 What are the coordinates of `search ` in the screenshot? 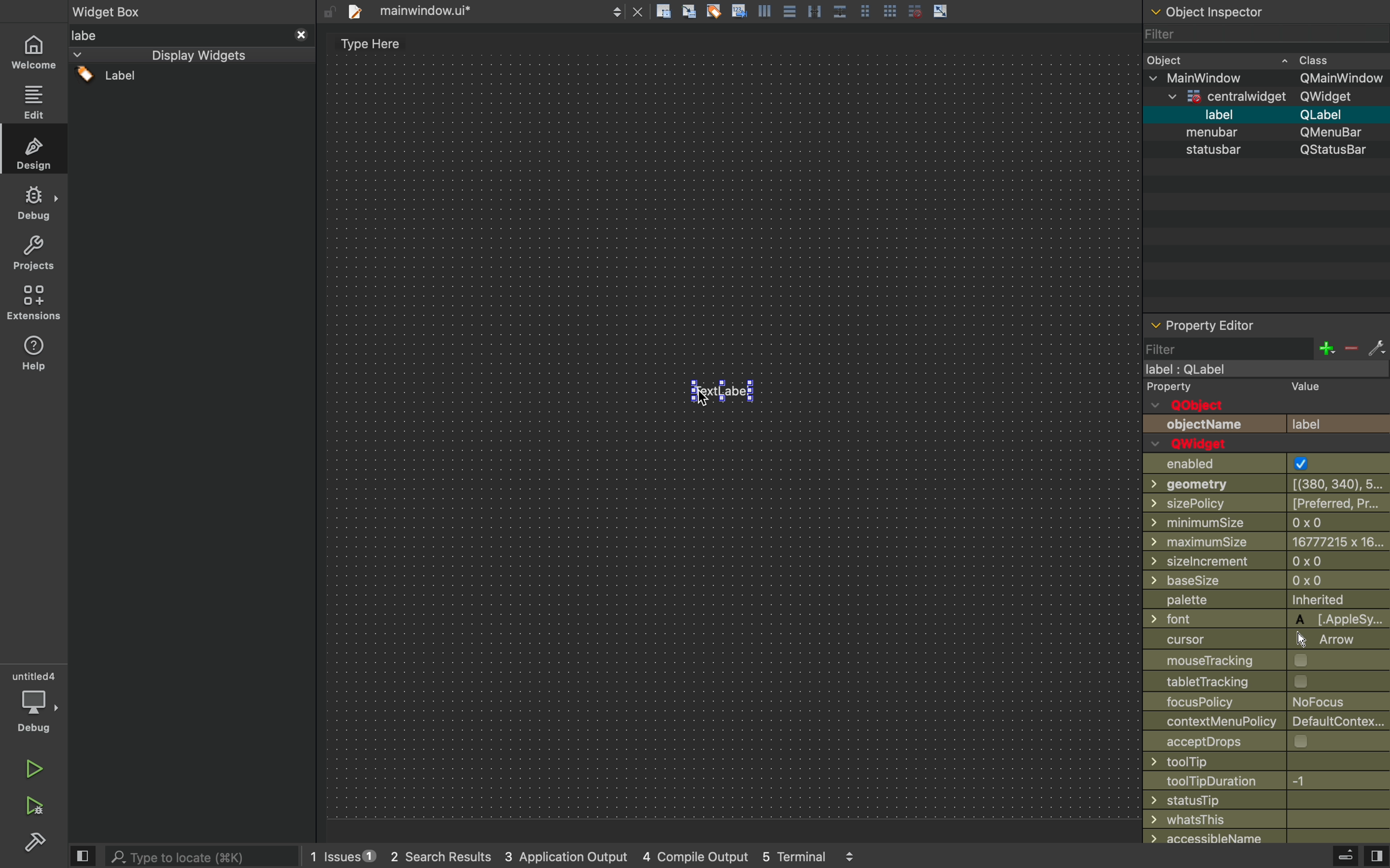 It's located at (206, 855).